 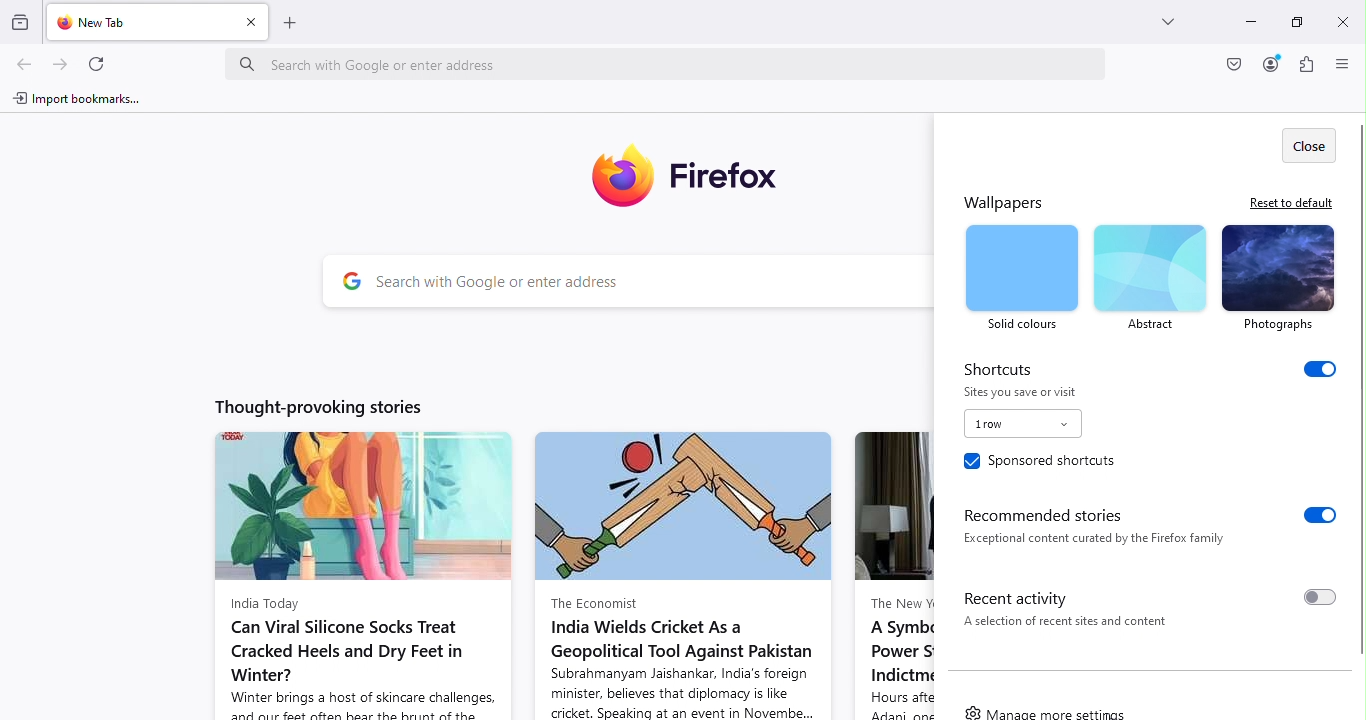 I want to click on toggle on/off recomended stories, so click(x=1312, y=515).